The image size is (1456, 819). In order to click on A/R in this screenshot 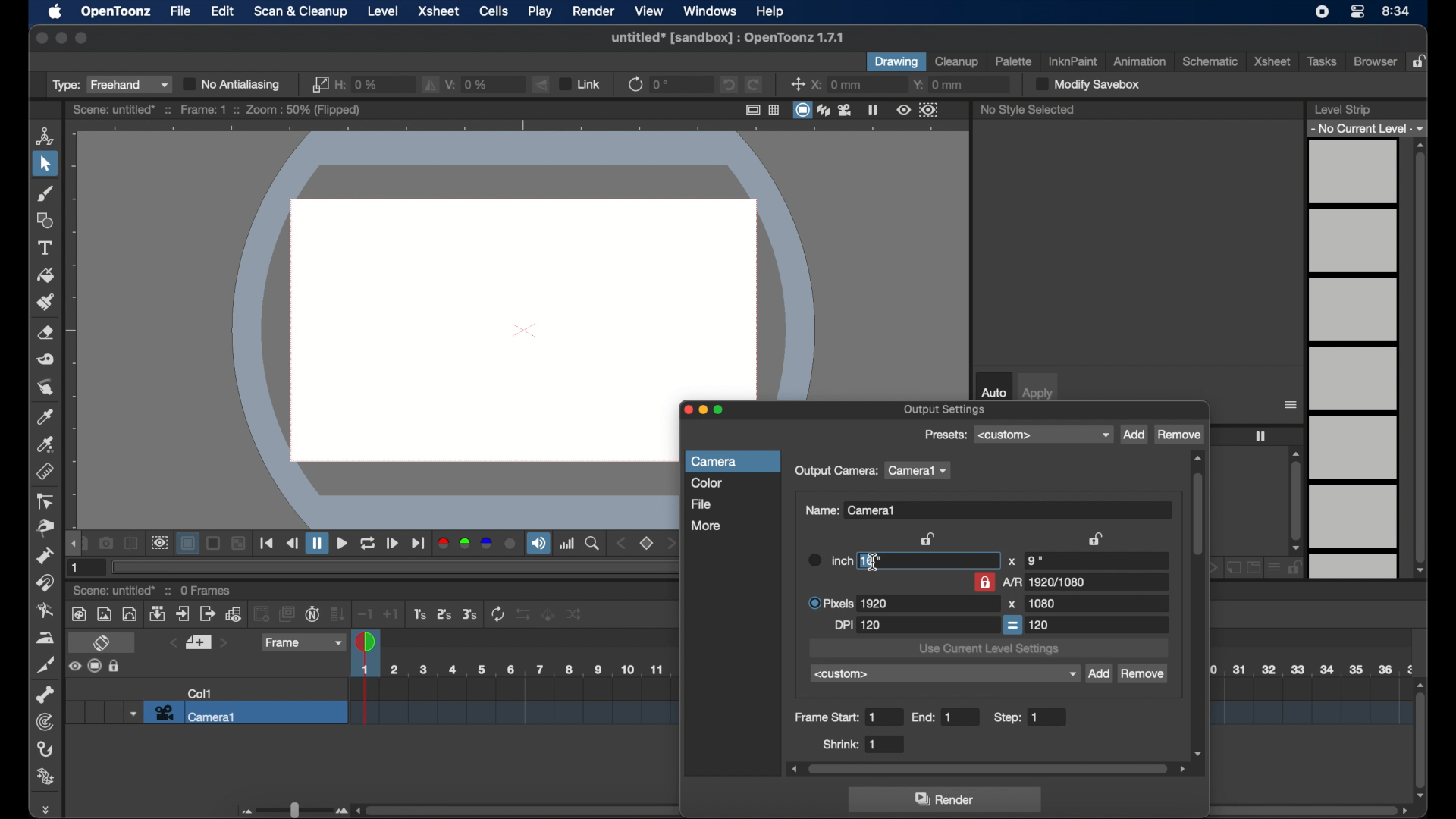, I will do `click(1046, 582)`.